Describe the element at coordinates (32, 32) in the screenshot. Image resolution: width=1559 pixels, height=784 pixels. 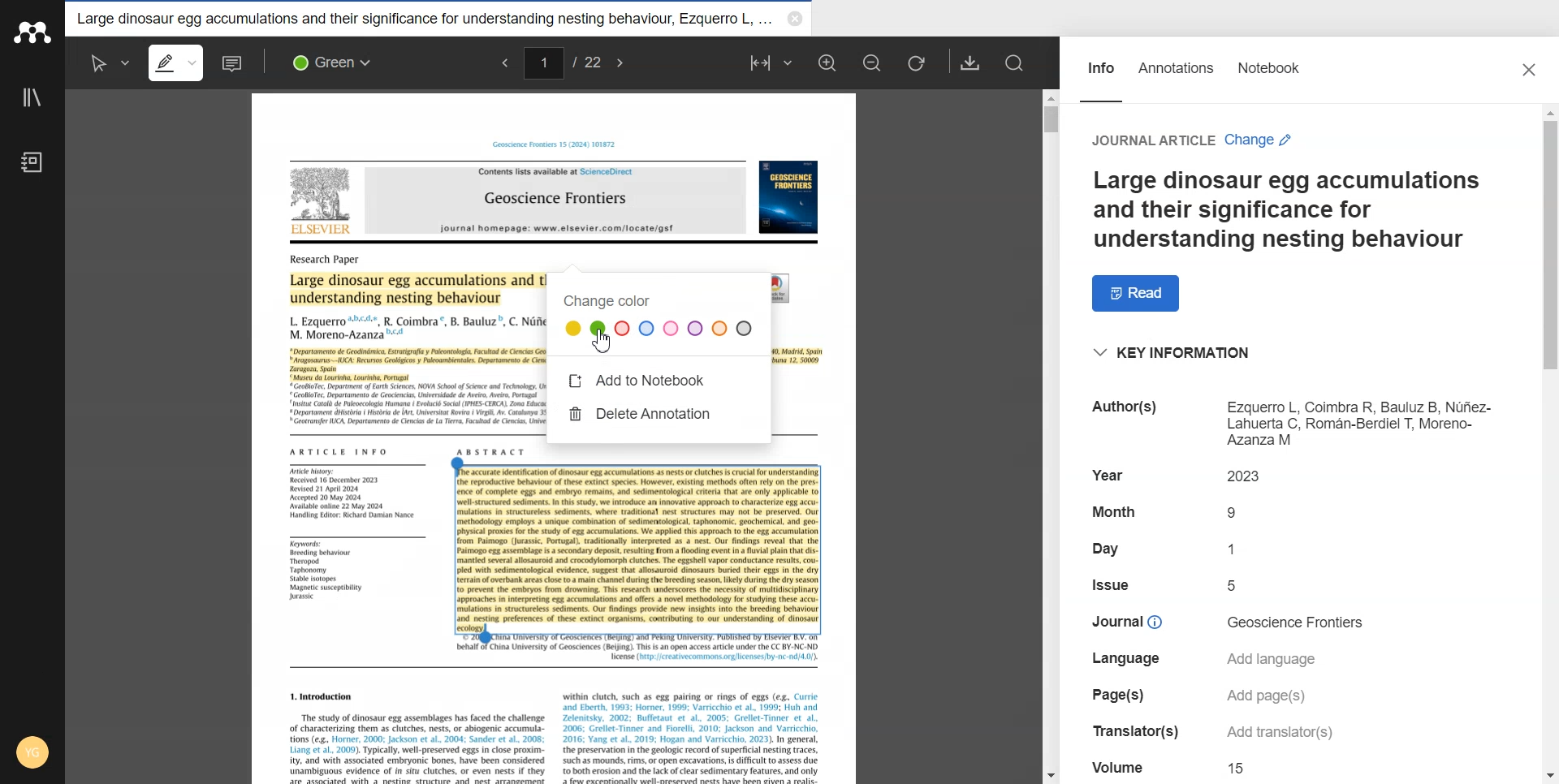
I see `Logo` at that location.